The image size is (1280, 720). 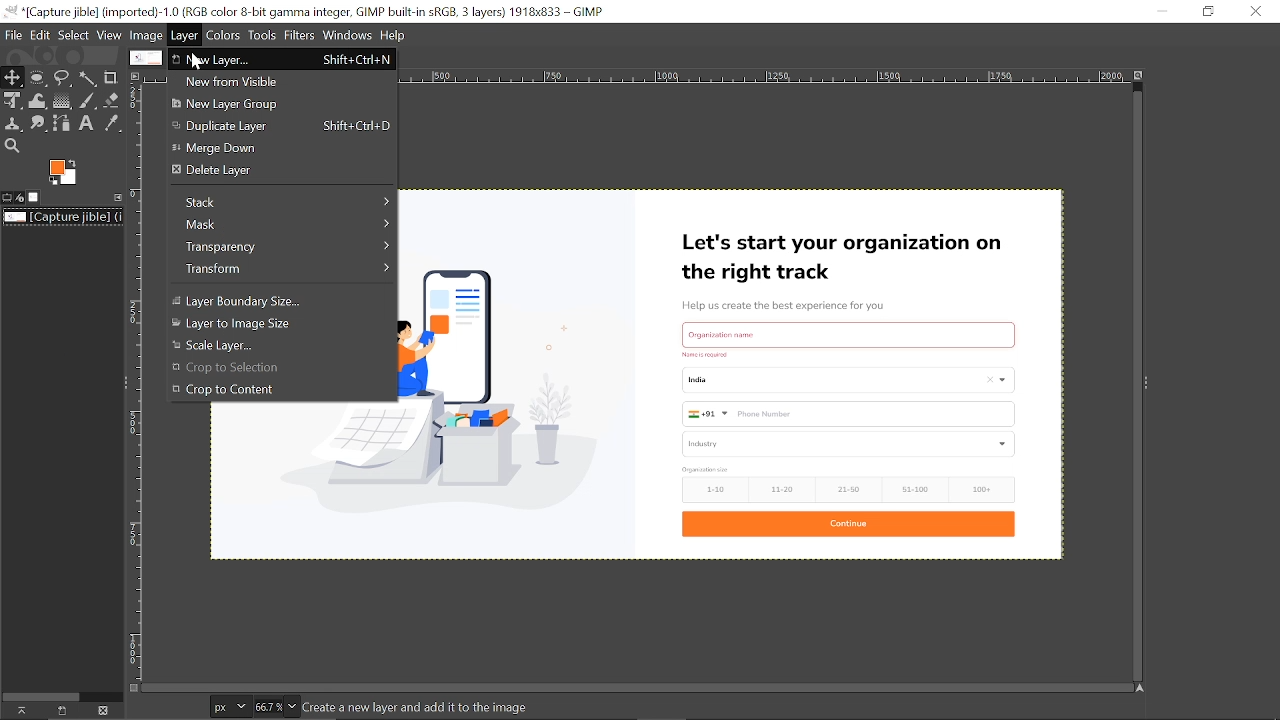 I want to click on Gradient tool, so click(x=63, y=101).